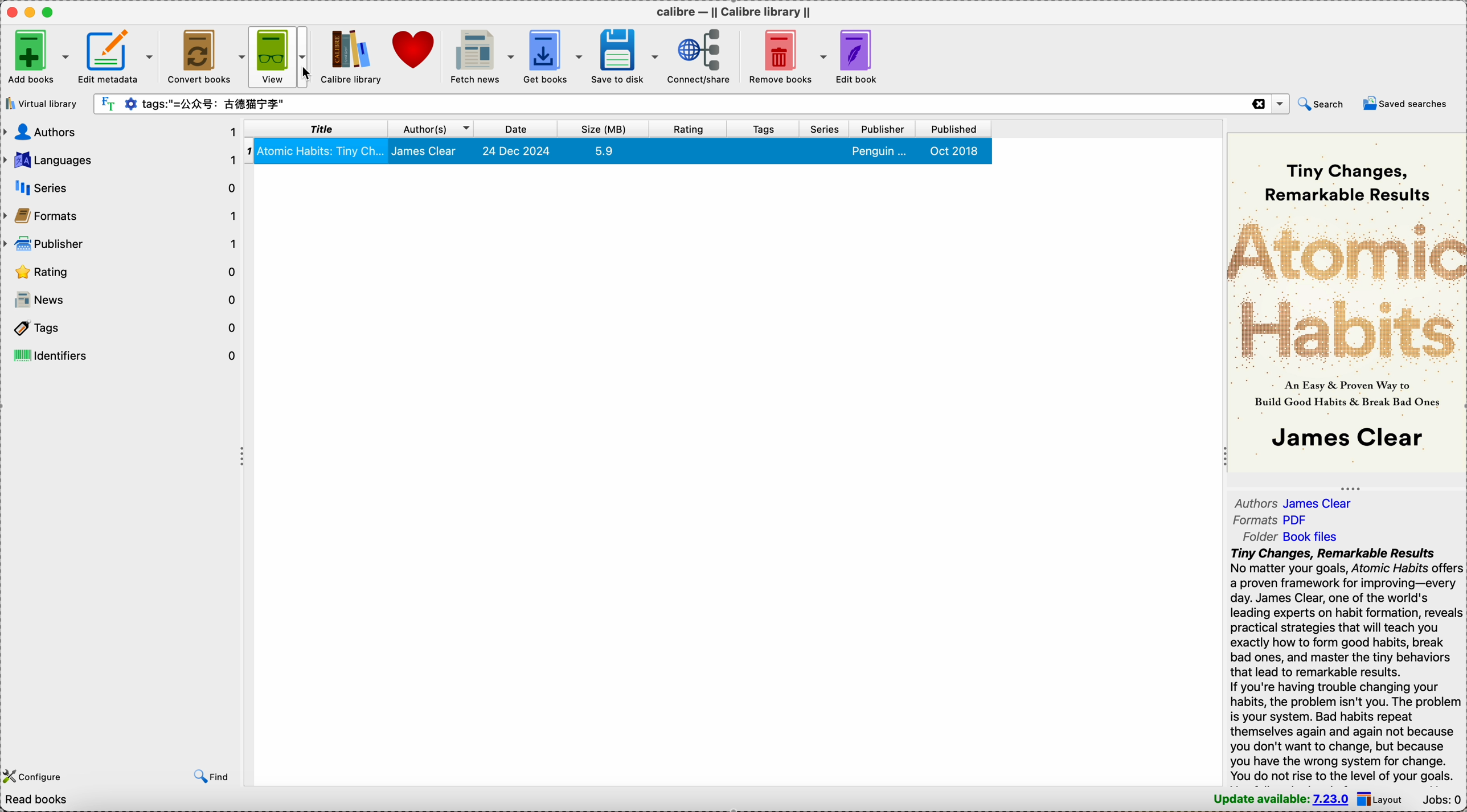 This screenshot has width=1467, height=812. What do you see at coordinates (784, 58) in the screenshot?
I see `remove books` at bounding box center [784, 58].